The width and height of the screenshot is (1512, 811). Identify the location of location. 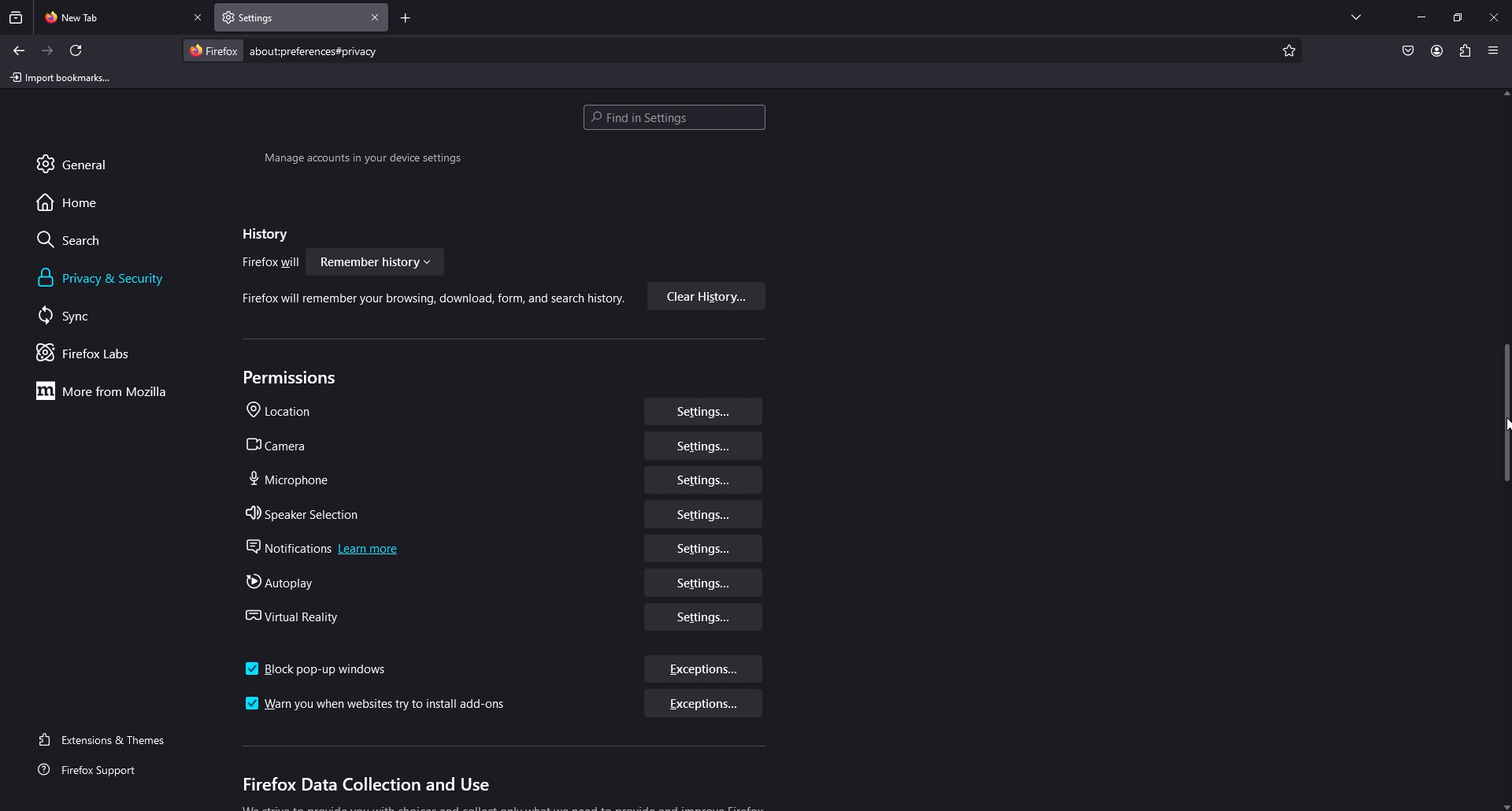
(286, 412).